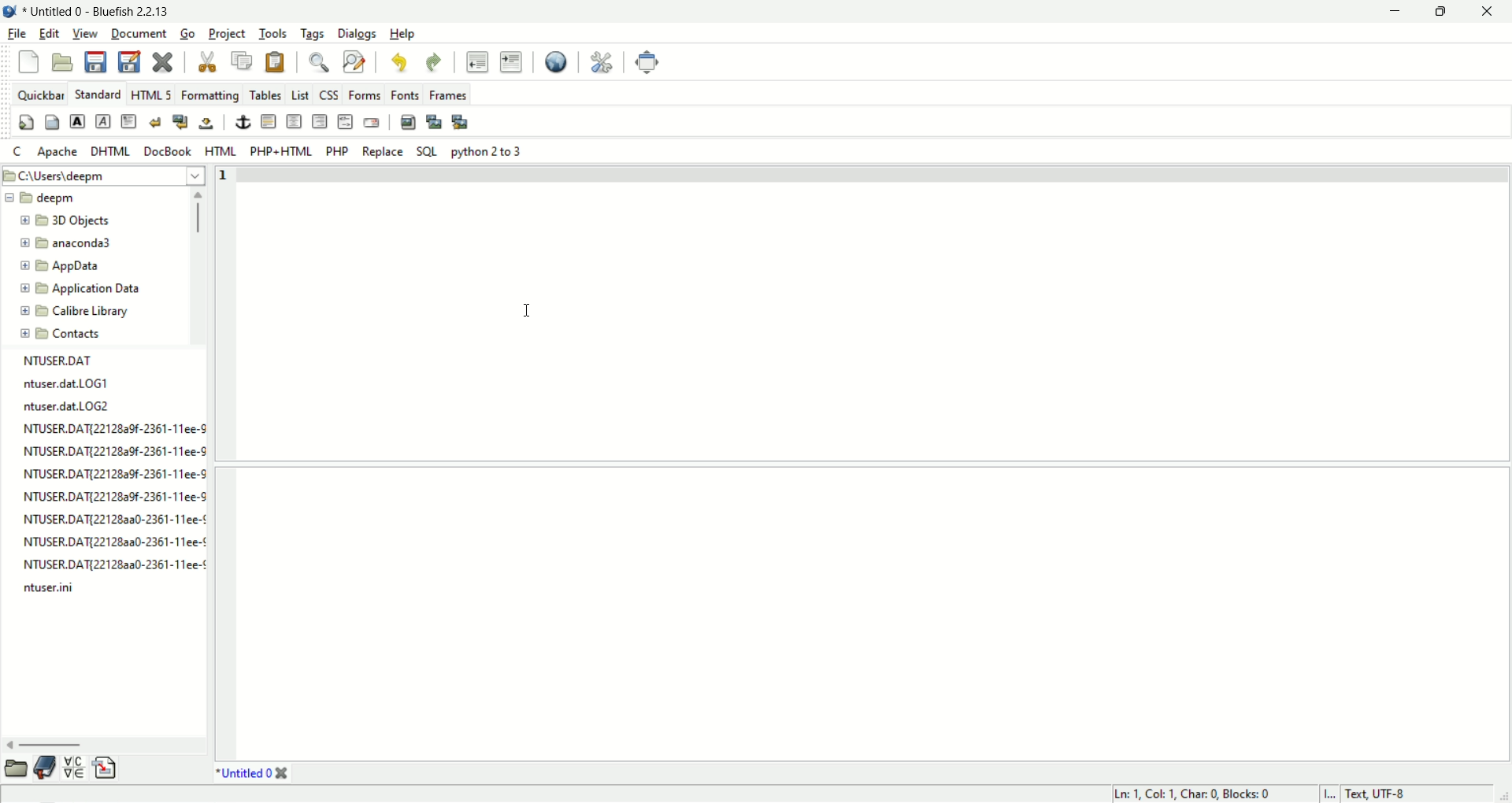 The image size is (1512, 803). I want to click on formatting, so click(210, 96).